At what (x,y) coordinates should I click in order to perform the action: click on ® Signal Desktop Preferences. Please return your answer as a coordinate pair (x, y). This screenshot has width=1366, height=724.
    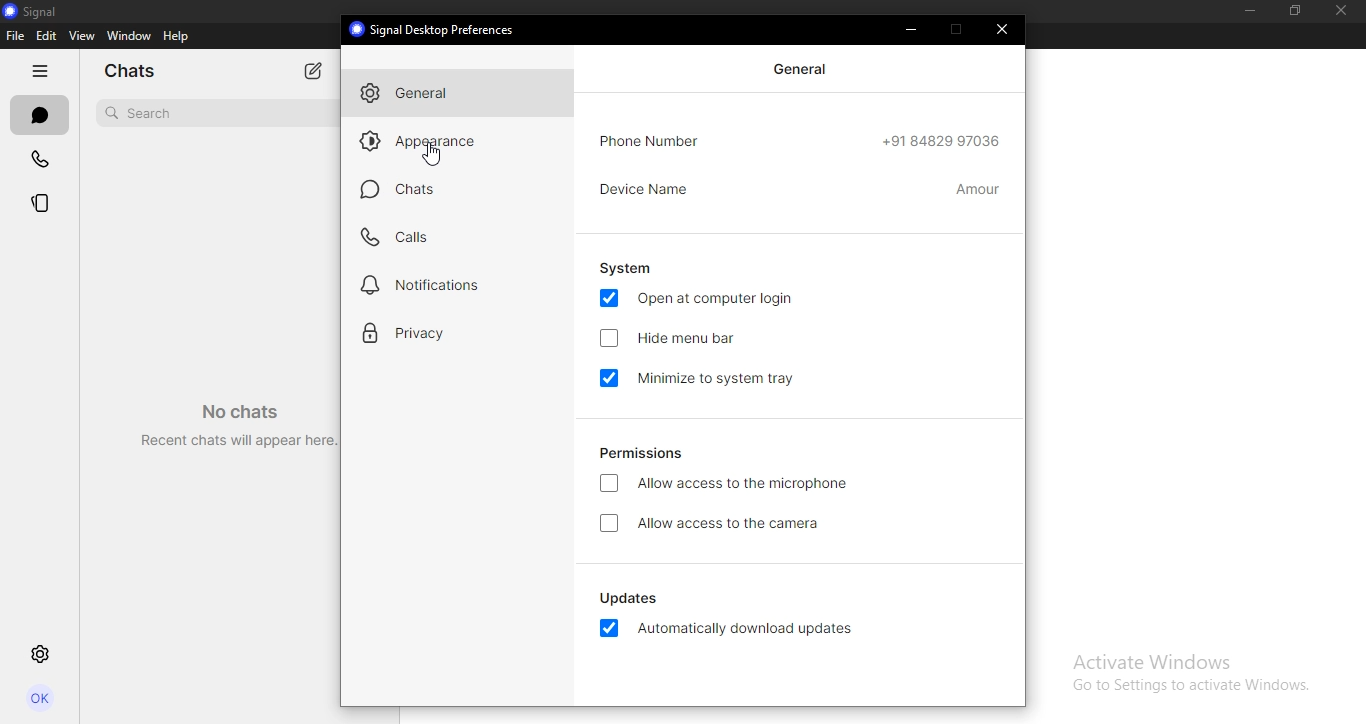
    Looking at the image, I should click on (435, 29).